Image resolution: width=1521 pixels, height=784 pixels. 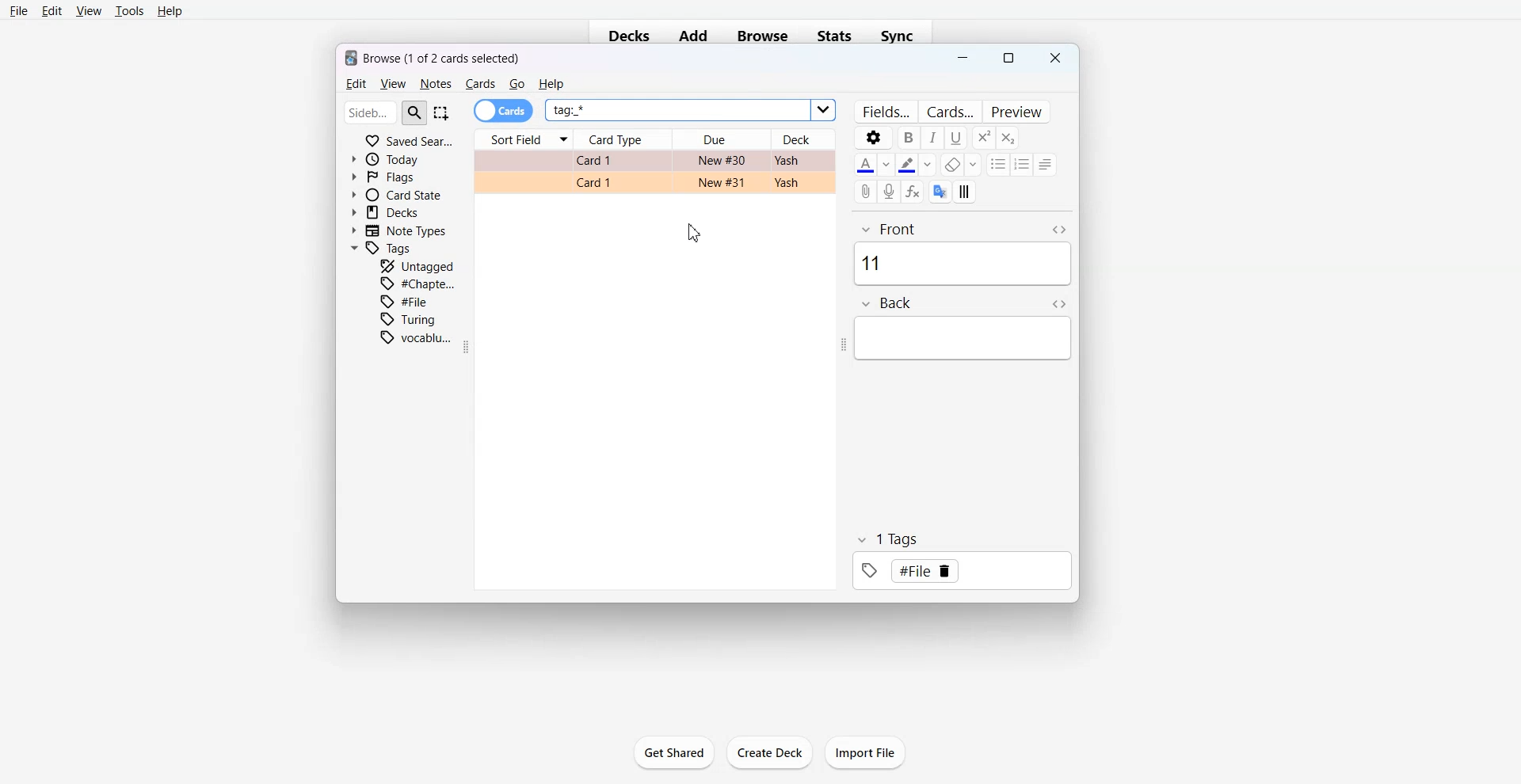 What do you see at coordinates (1046, 164) in the screenshot?
I see `Alignment` at bounding box center [1046, 164].